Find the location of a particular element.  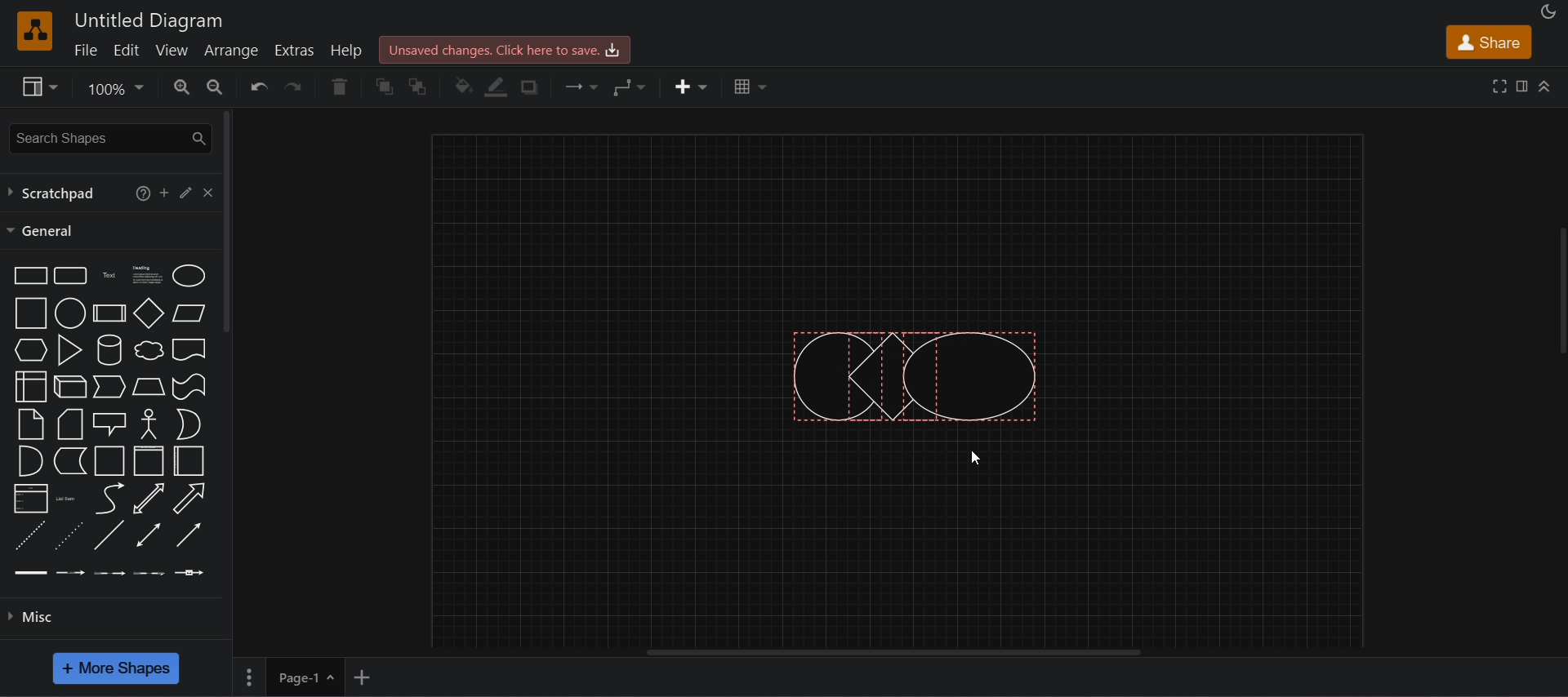

zoom in is located at coordinates (182, 87).